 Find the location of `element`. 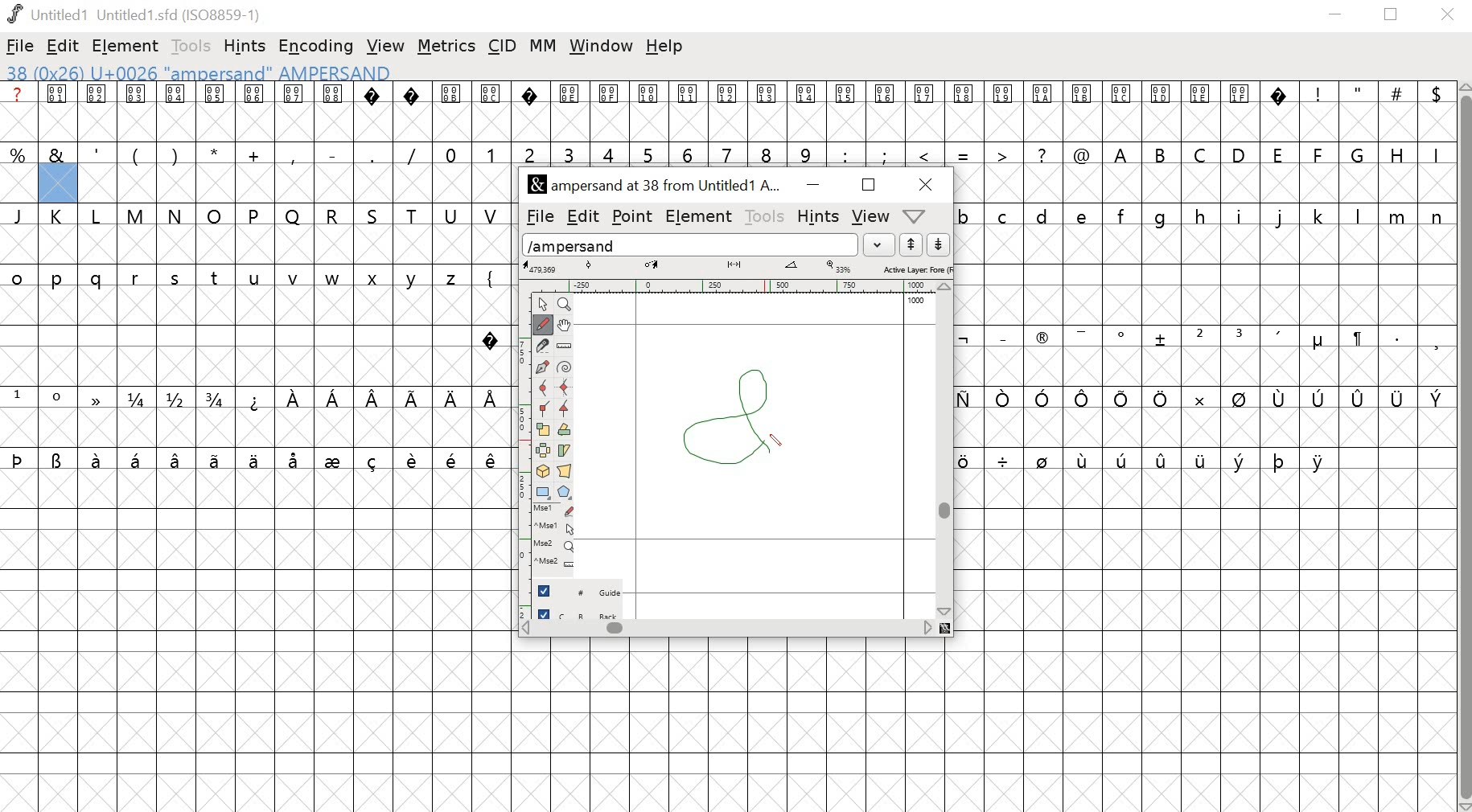

element is located at coordinates (127, 45).